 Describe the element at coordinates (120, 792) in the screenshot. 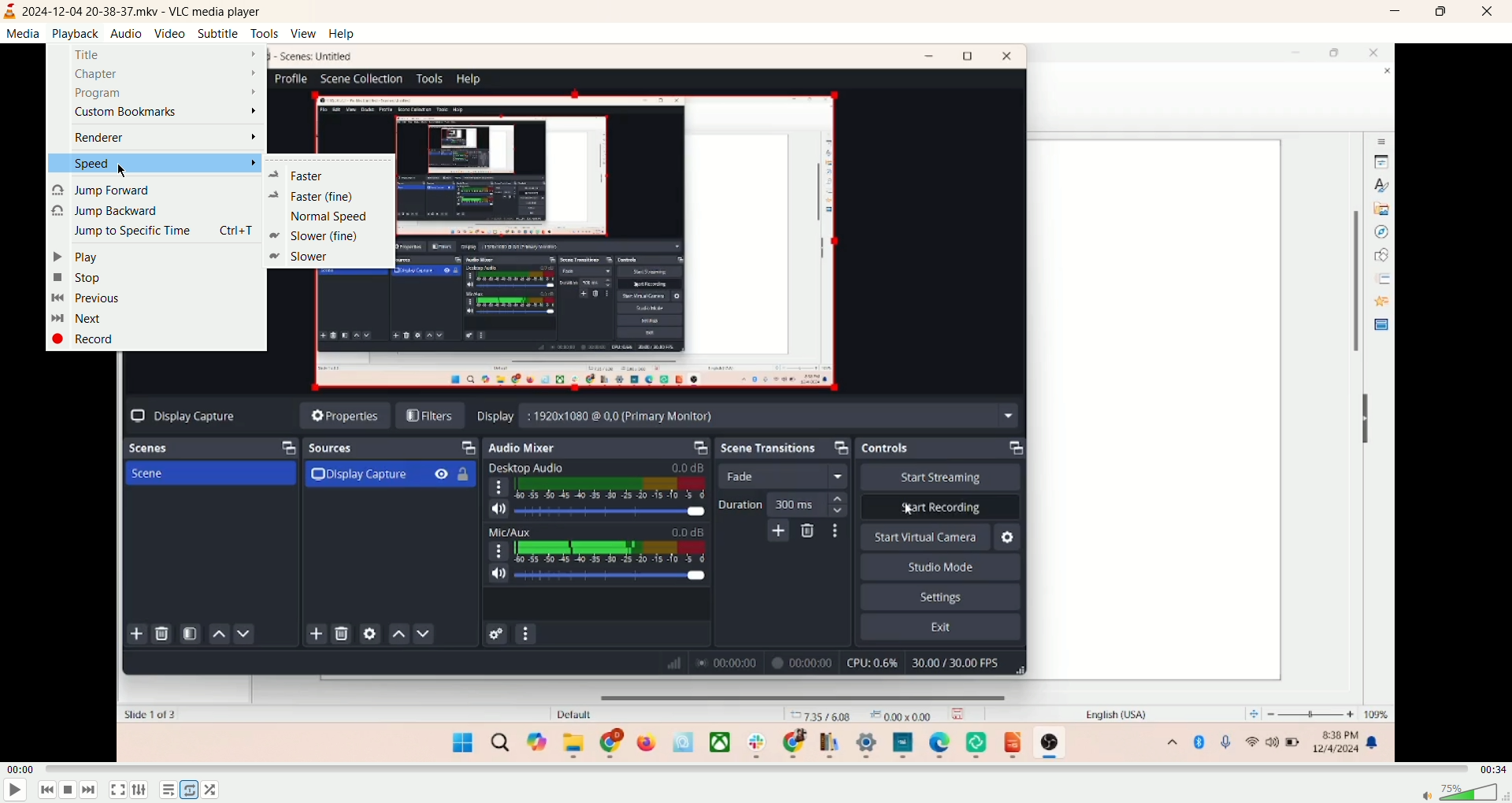

I see `fullscreen` at that location.